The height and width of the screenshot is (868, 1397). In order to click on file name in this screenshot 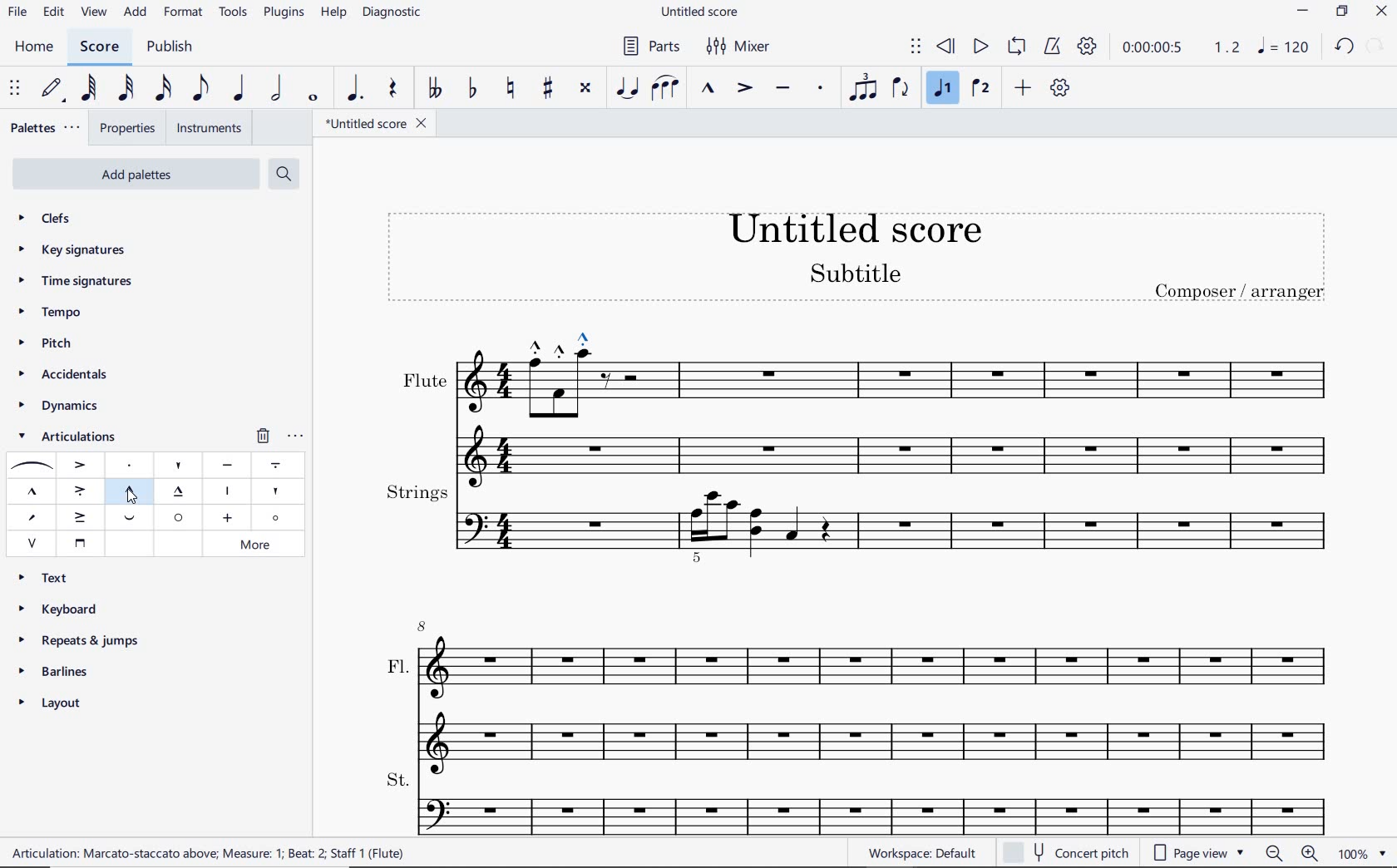, I will do `click(702, 11)`.